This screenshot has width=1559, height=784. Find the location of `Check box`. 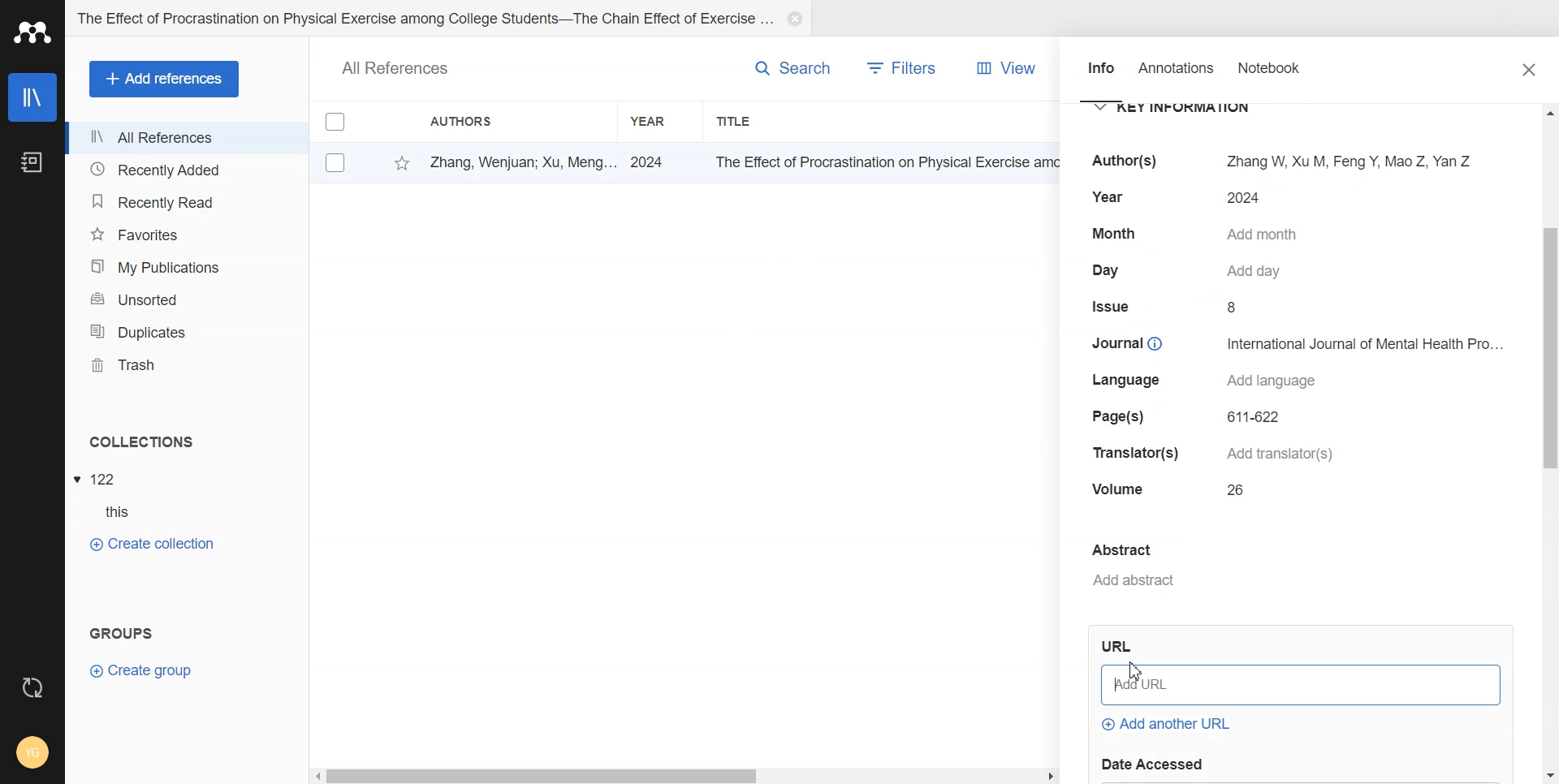

Check box is located at coordinates (332, 162).